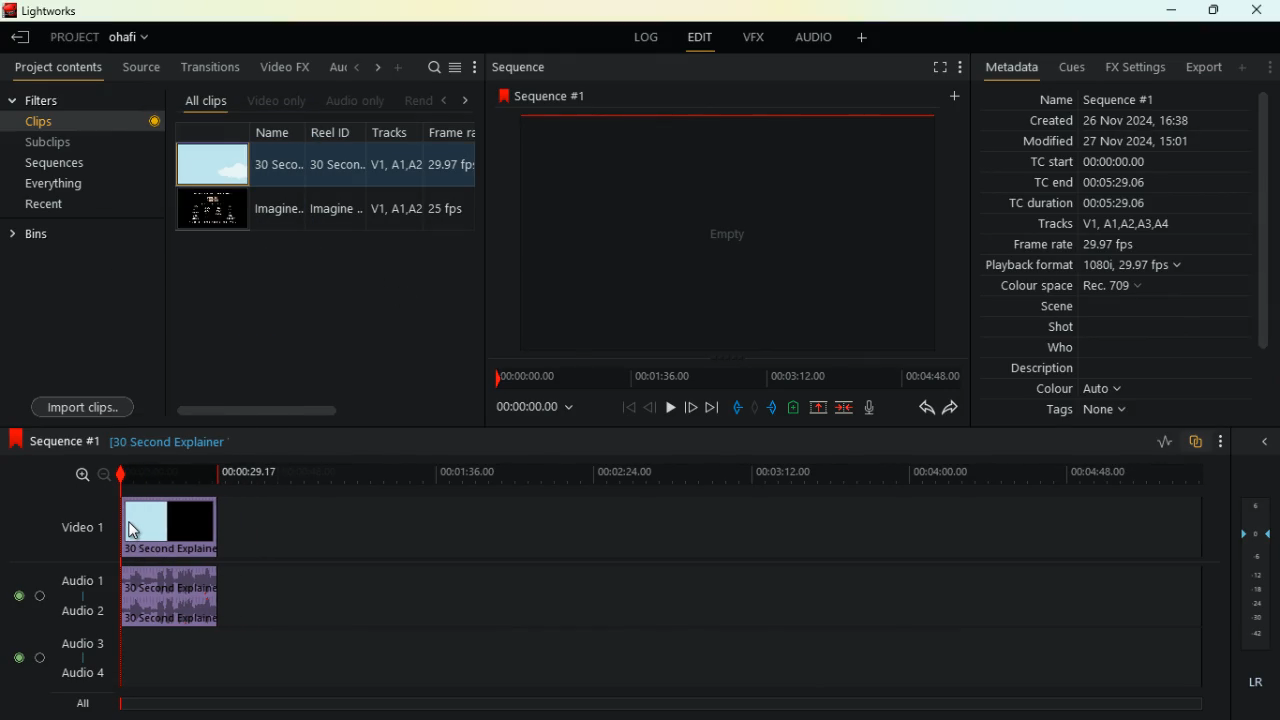 The width and height of the screenshot is (1280, 720). I want to click on end, so click(712, 406).